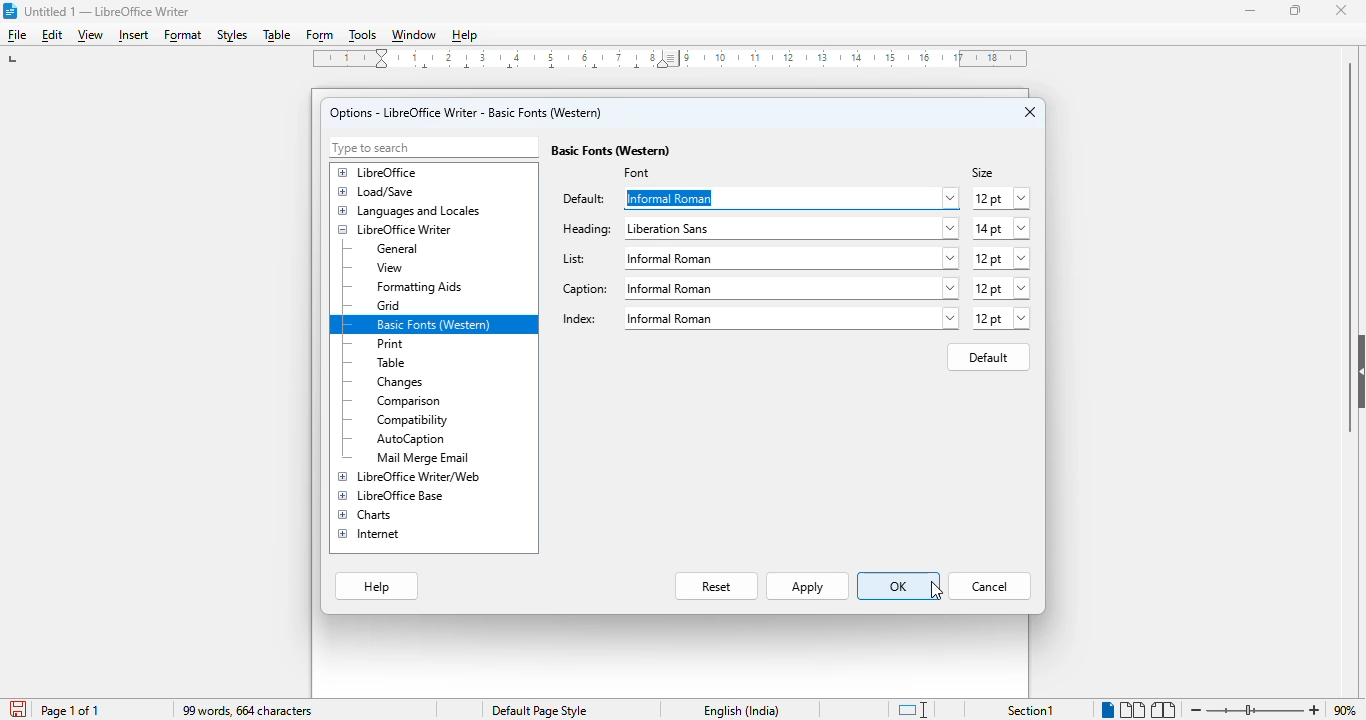 The image size is (1366, 720). Describe the element at coordinates (71, 711) in the screenshot. I see `page 1 of 1` at that location.